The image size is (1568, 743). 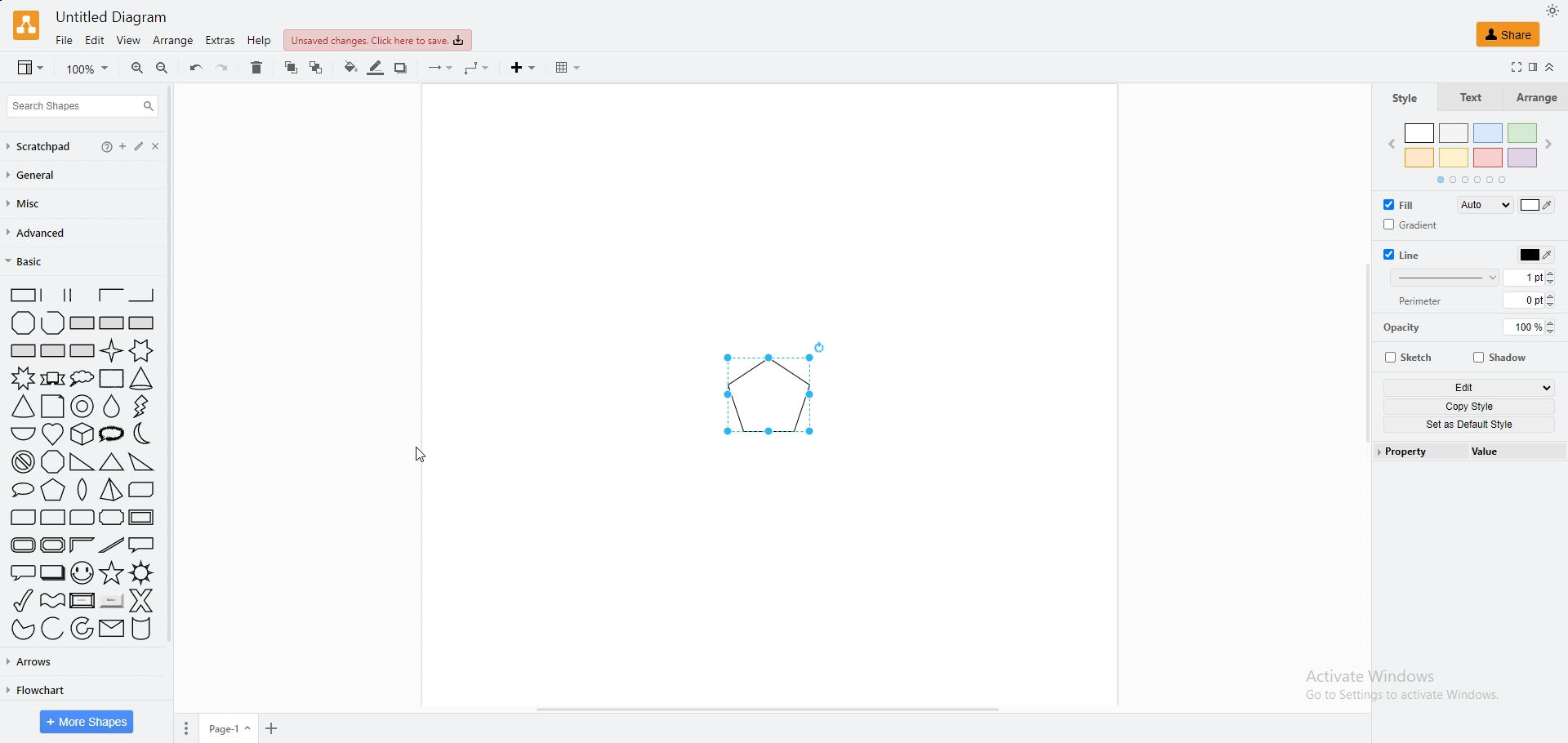 What do you see at coordinates (1556, 295) in the screenshot?
I see `increase perimeter` at bounding box center [1556, 295].